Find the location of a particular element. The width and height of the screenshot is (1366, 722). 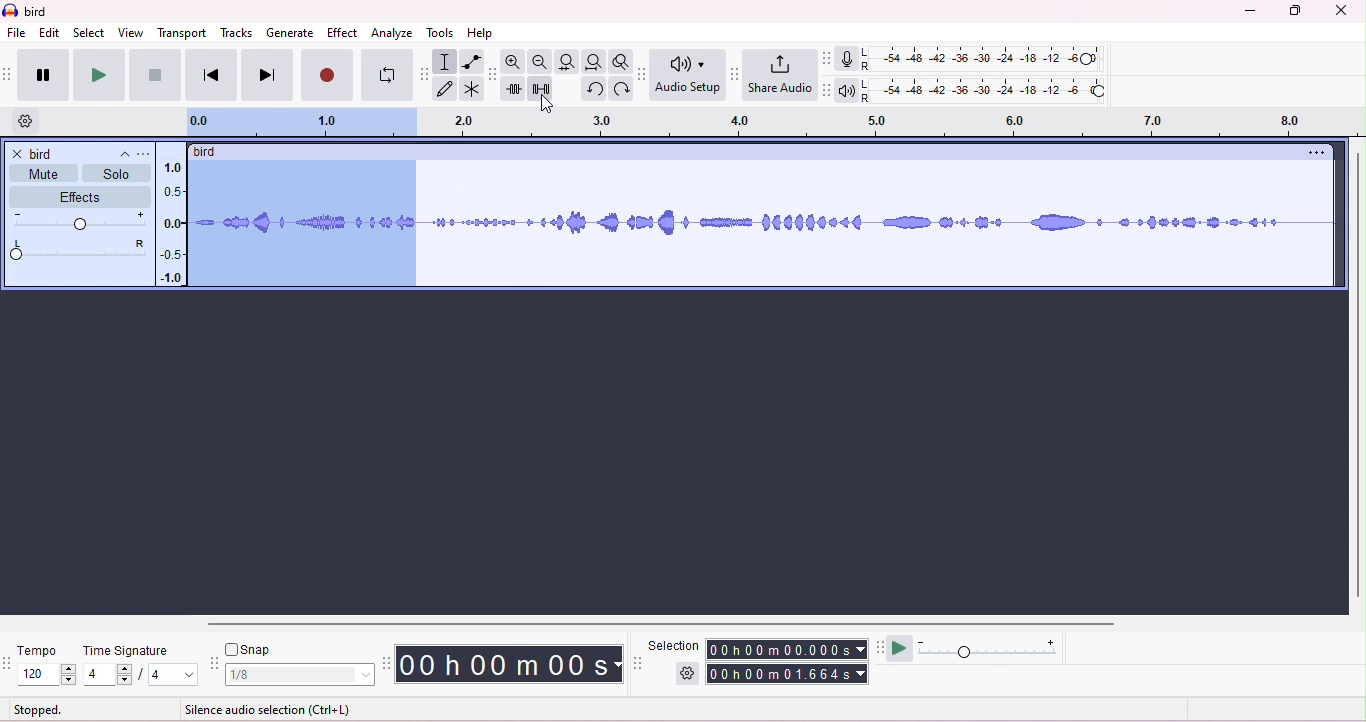

bird (track title) is located at coordinates (208, 150).